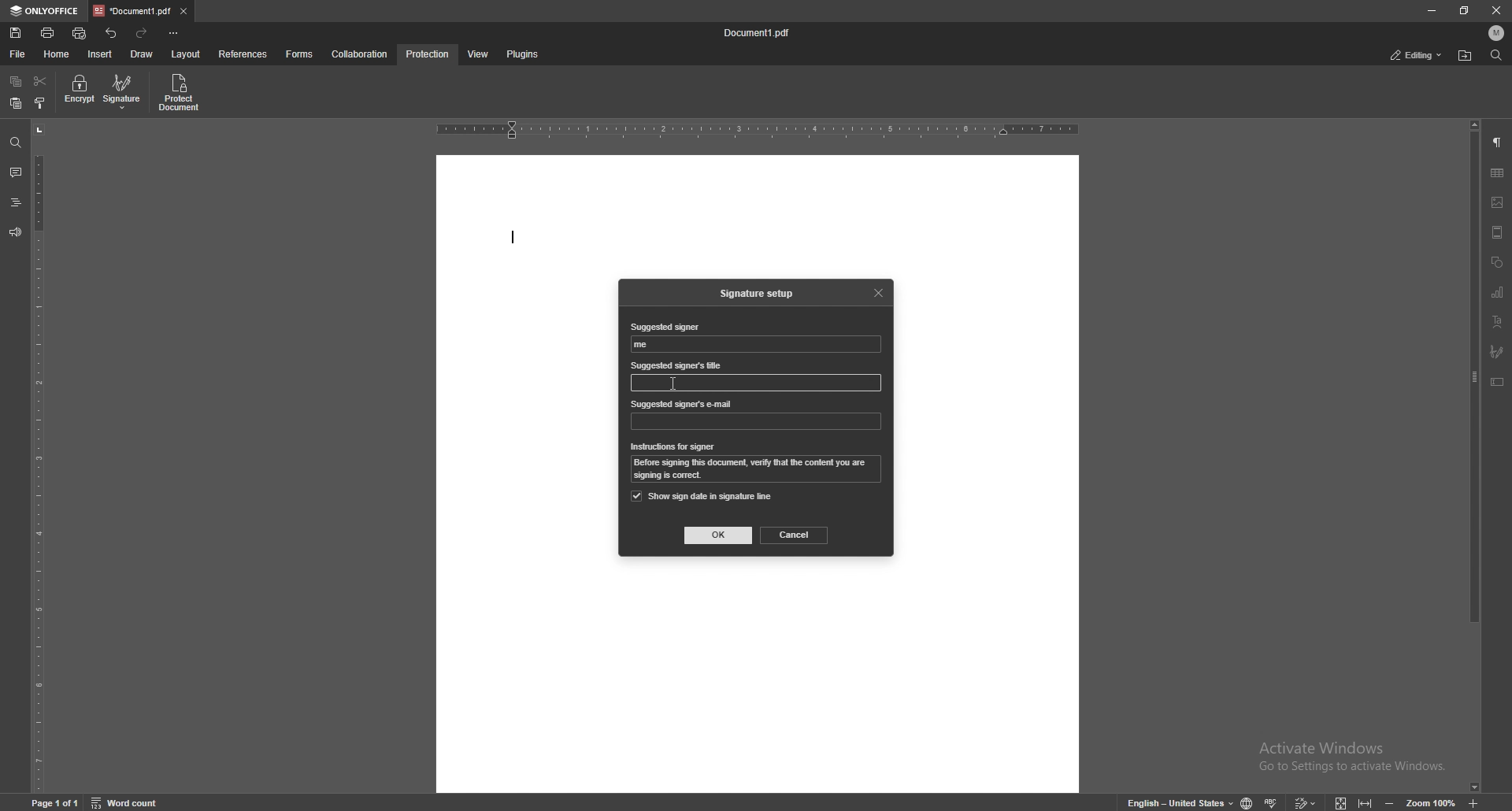 Image resolution: width=1512 pixels, height=811 pixels. What do you see at coordinates (1273, 799) in the screenshot?
I see `spell check` at bounding box center [1273, 799].